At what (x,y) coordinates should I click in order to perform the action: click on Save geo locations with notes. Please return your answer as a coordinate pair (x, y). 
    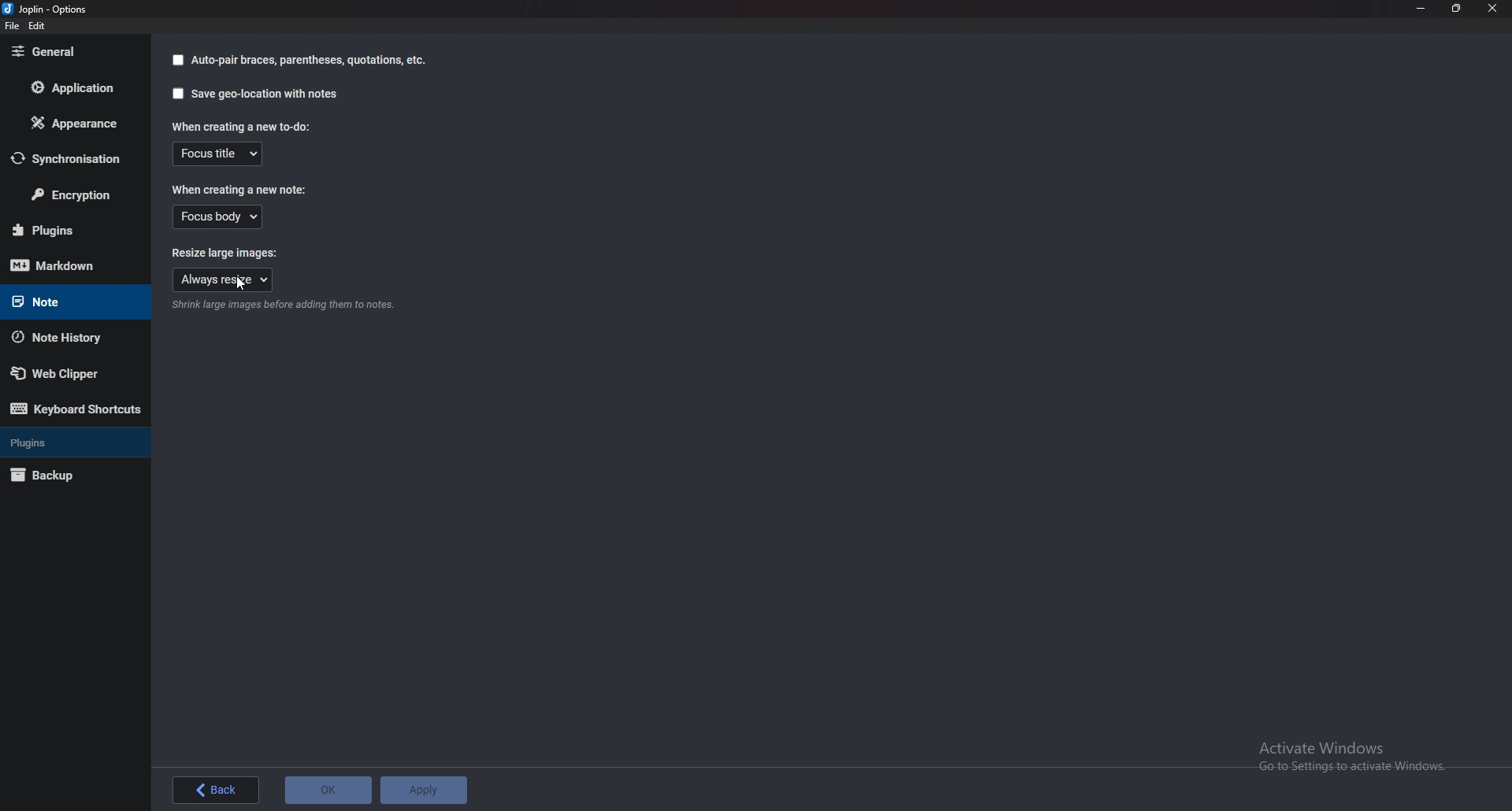
    Looking at the image, I should click on (266, 94).